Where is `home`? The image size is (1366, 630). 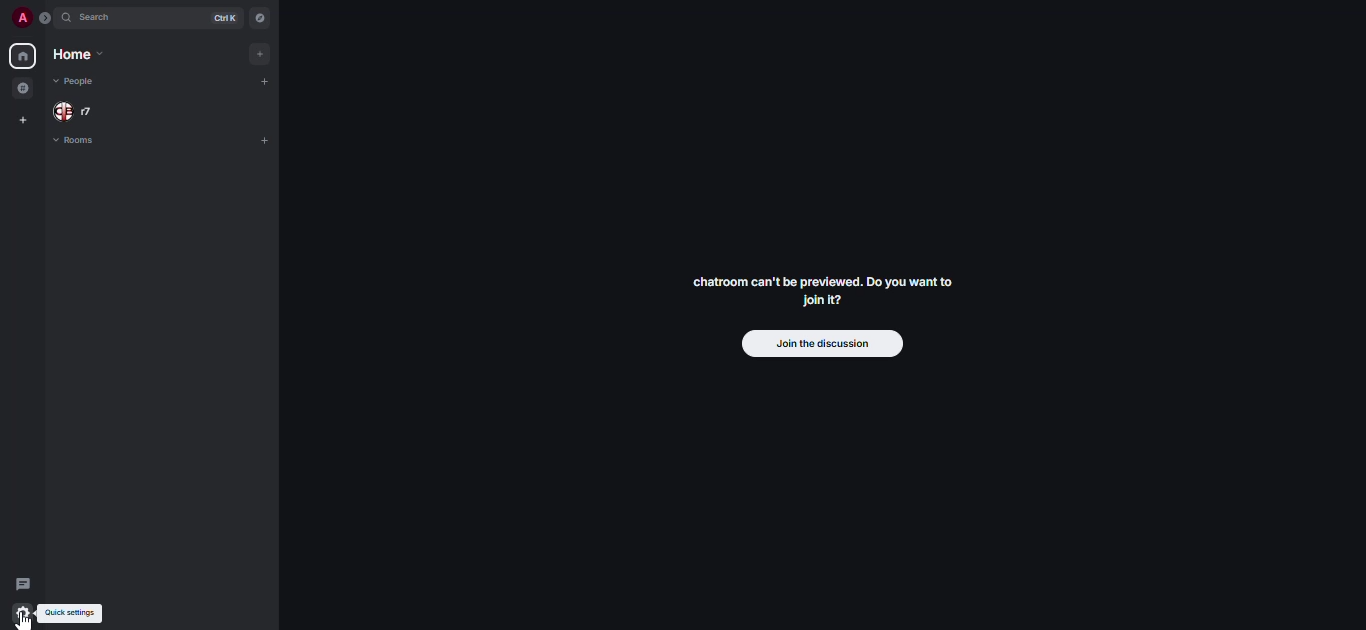
home is located at coordinates (79, 55).